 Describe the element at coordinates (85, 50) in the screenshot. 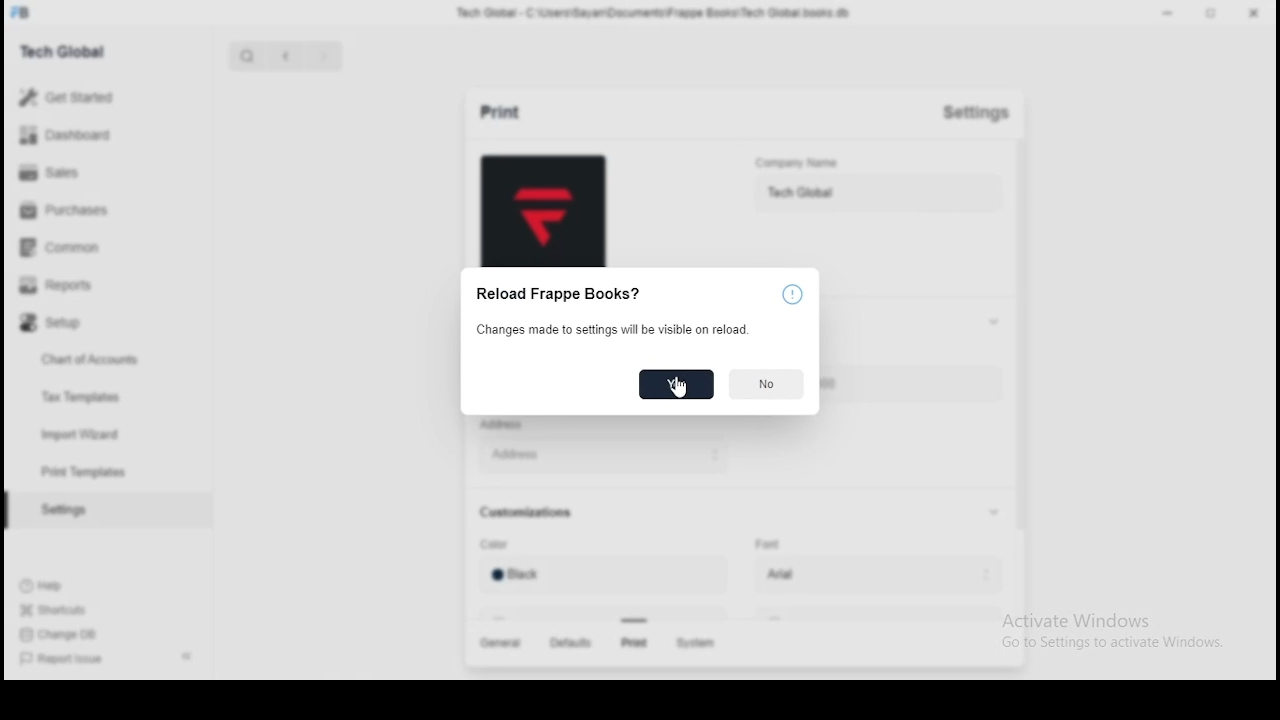

I see `Tech Global` at that location.